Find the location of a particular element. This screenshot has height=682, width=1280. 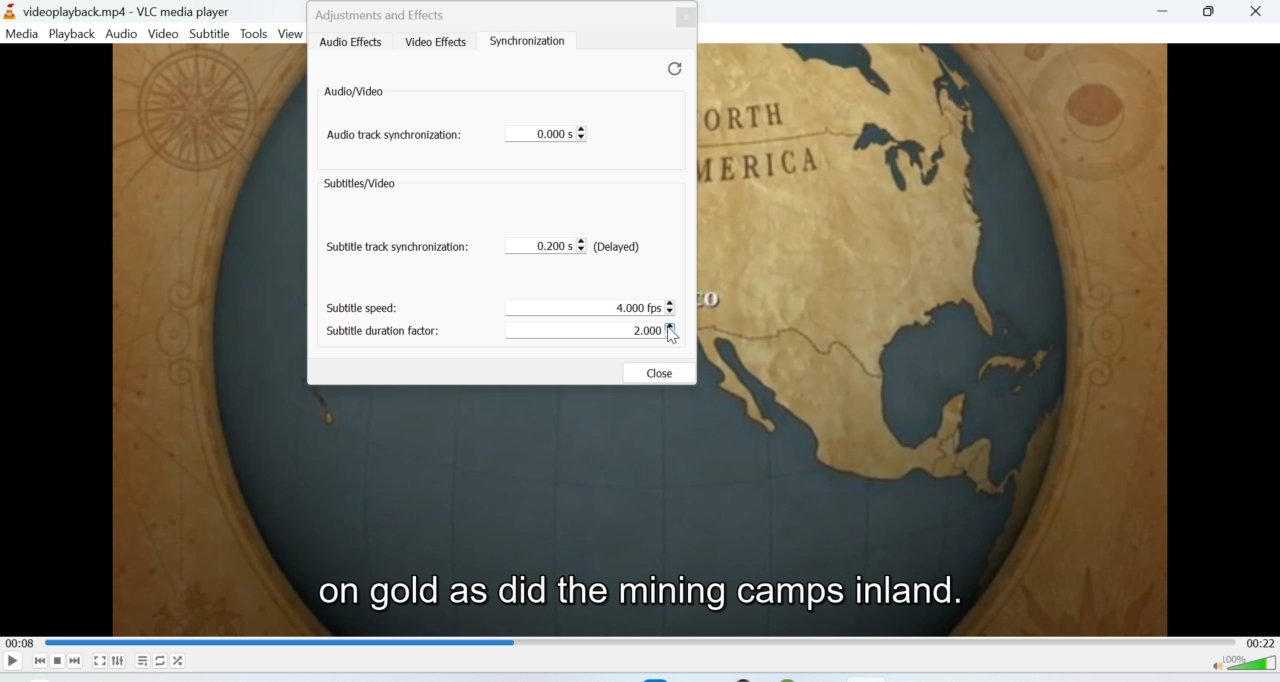

subtitles/video is located at coordinates (362, 185).